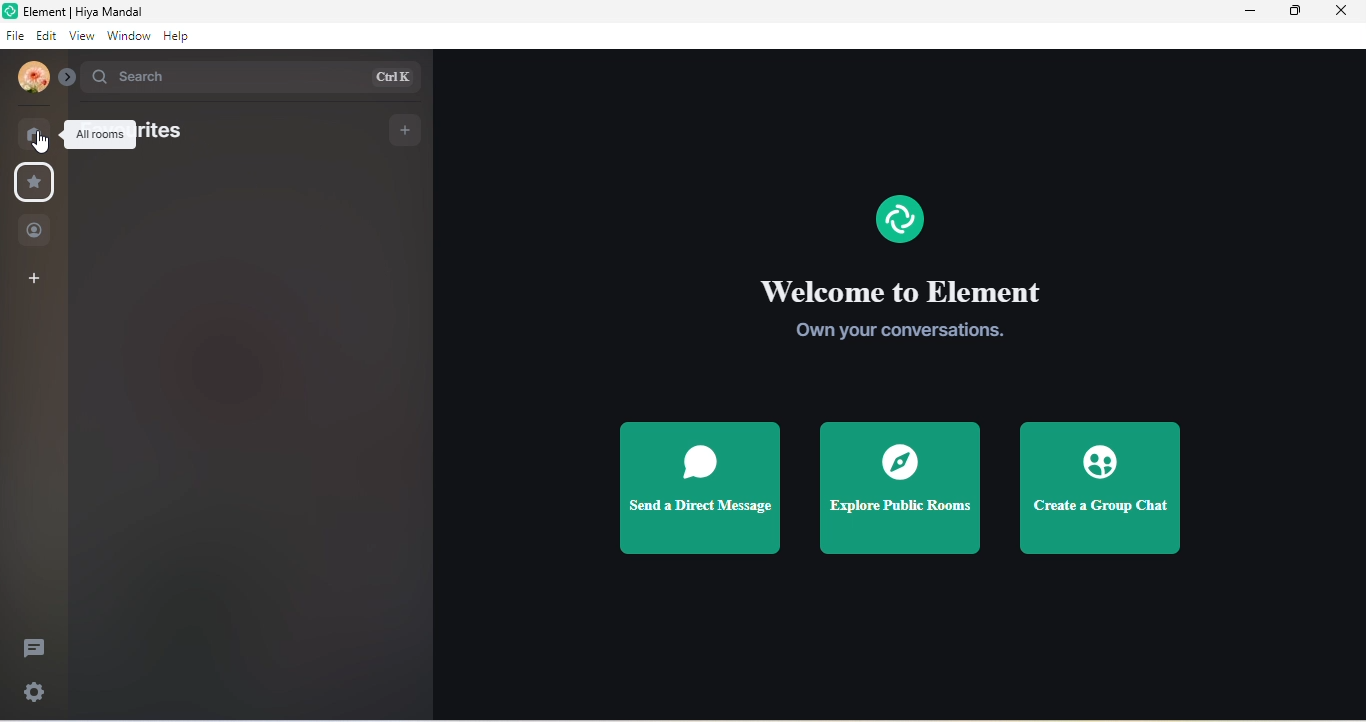 The image size is (1366, 722). I want to click on Welcome to Element, so click(906, 289).